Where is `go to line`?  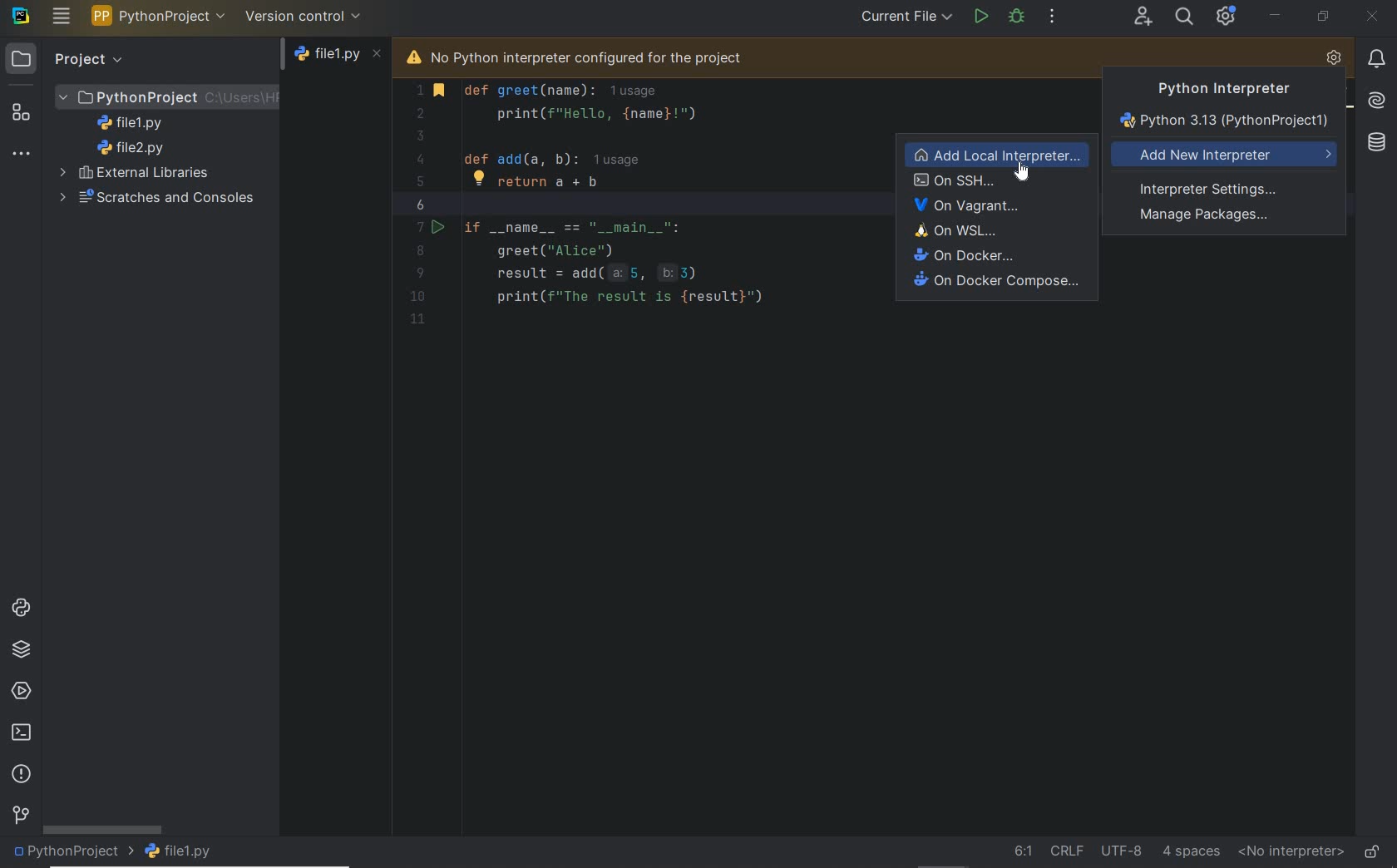 go to line is located at coordinates (1022, 851).